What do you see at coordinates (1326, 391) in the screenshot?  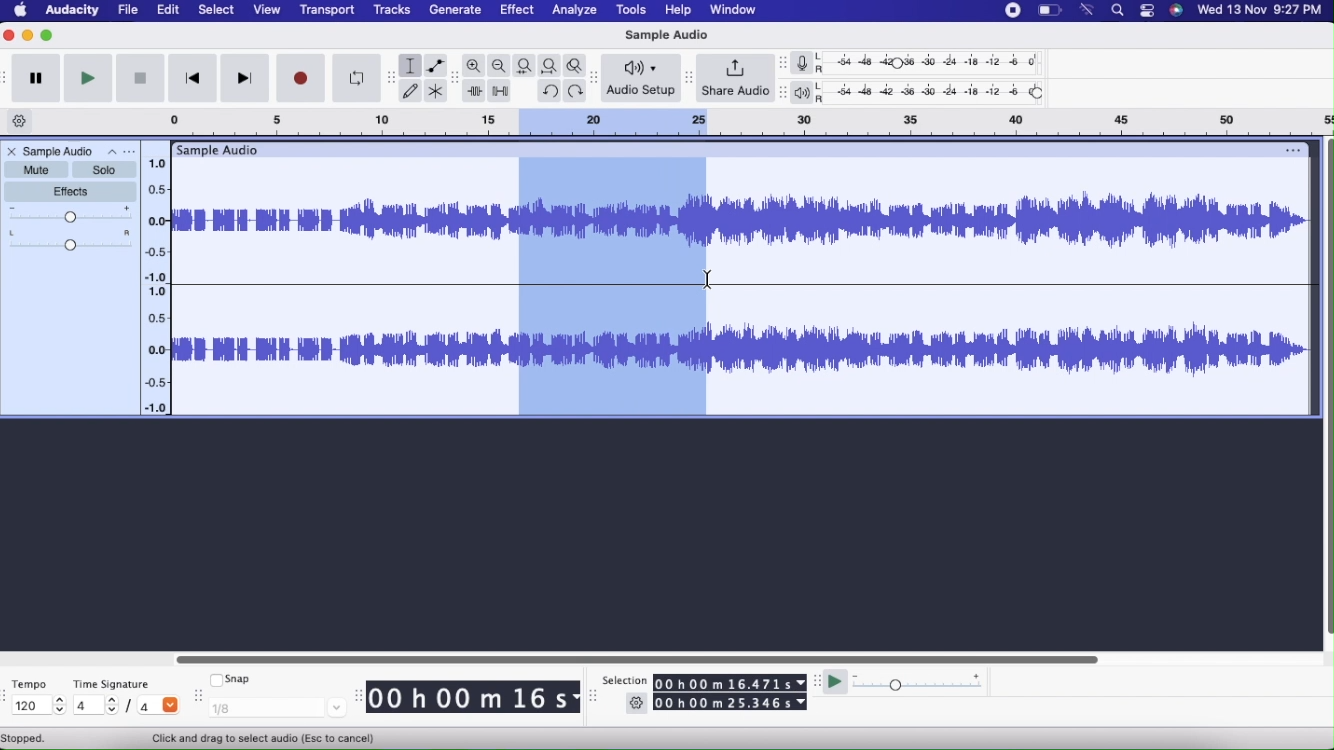 I see `vertical scrollbar` at bounding box center [1326, 391].